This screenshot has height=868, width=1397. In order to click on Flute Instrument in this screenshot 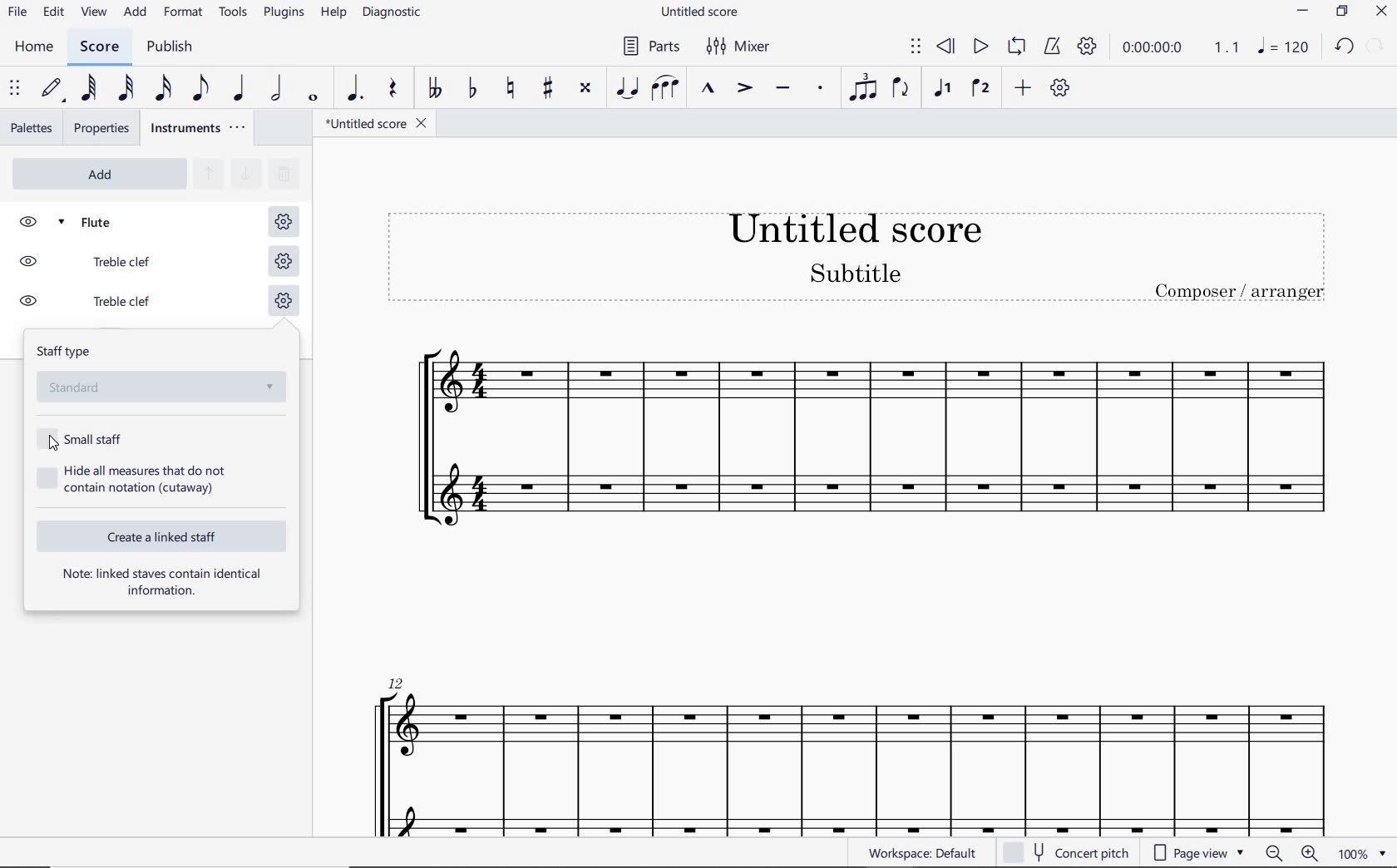, I will do `click(850, 395)`.